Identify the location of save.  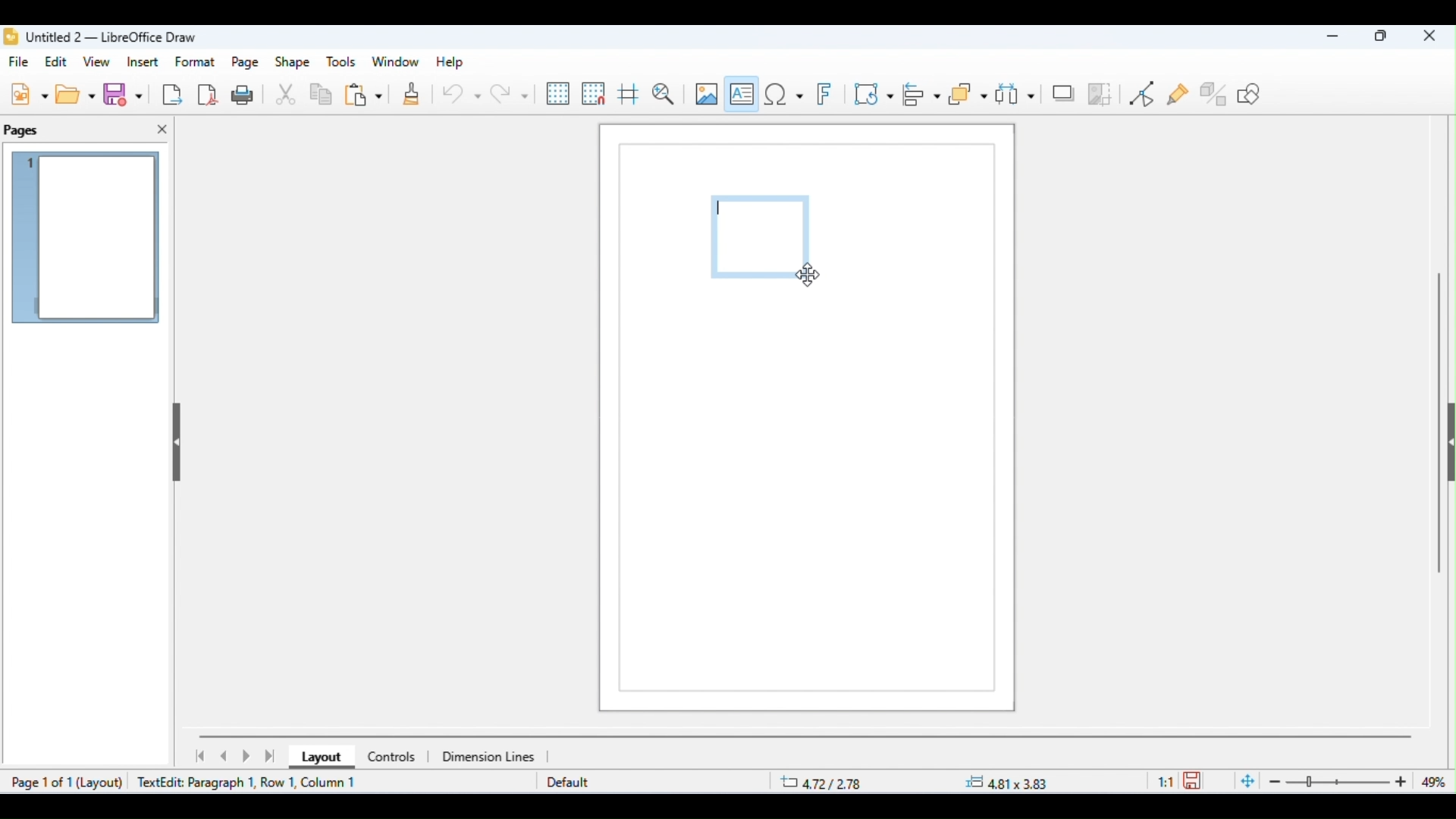
(1195, 780).